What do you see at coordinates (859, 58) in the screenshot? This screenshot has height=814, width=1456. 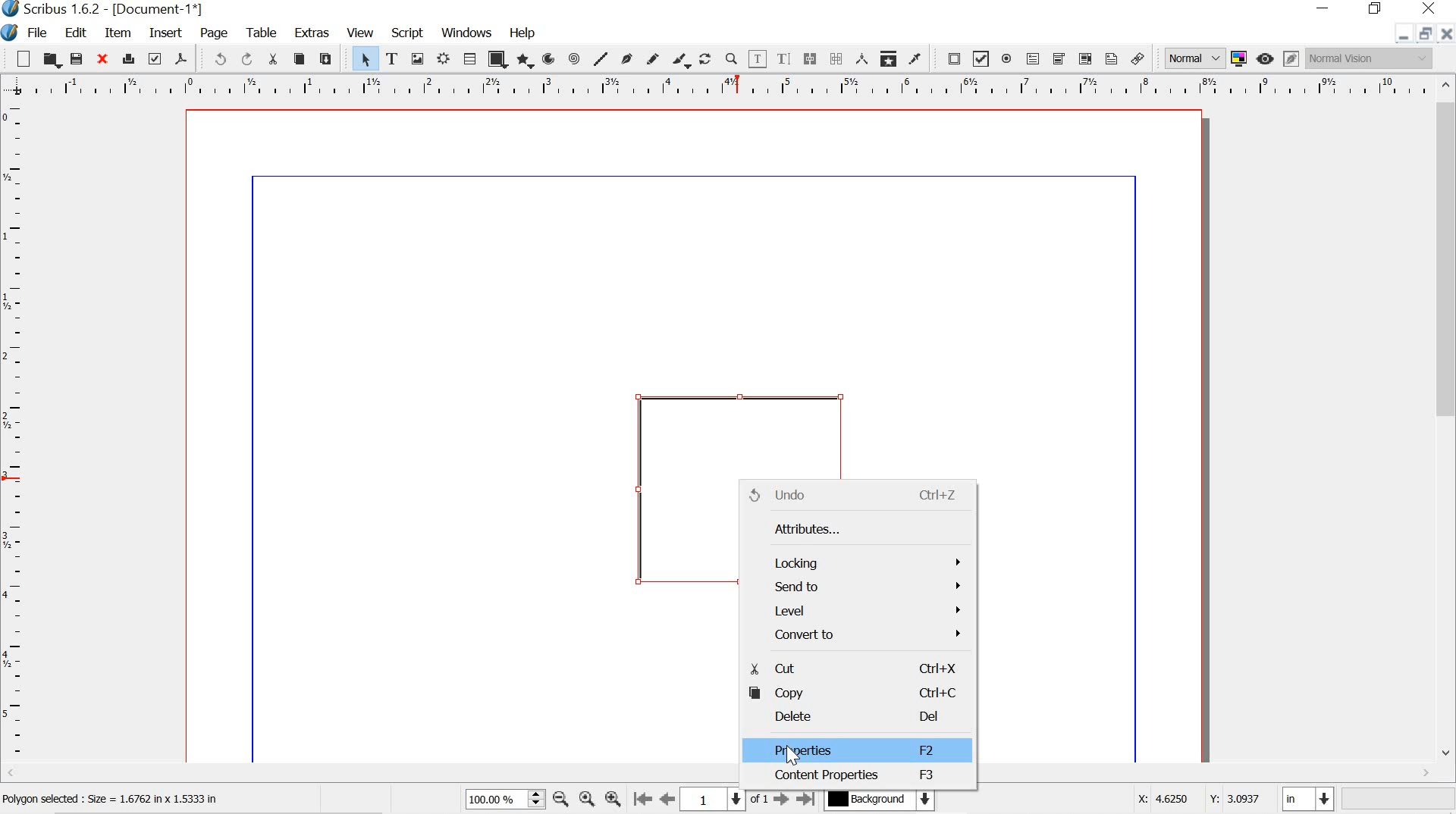 I see `measurements` at bounding box center [859, 58].